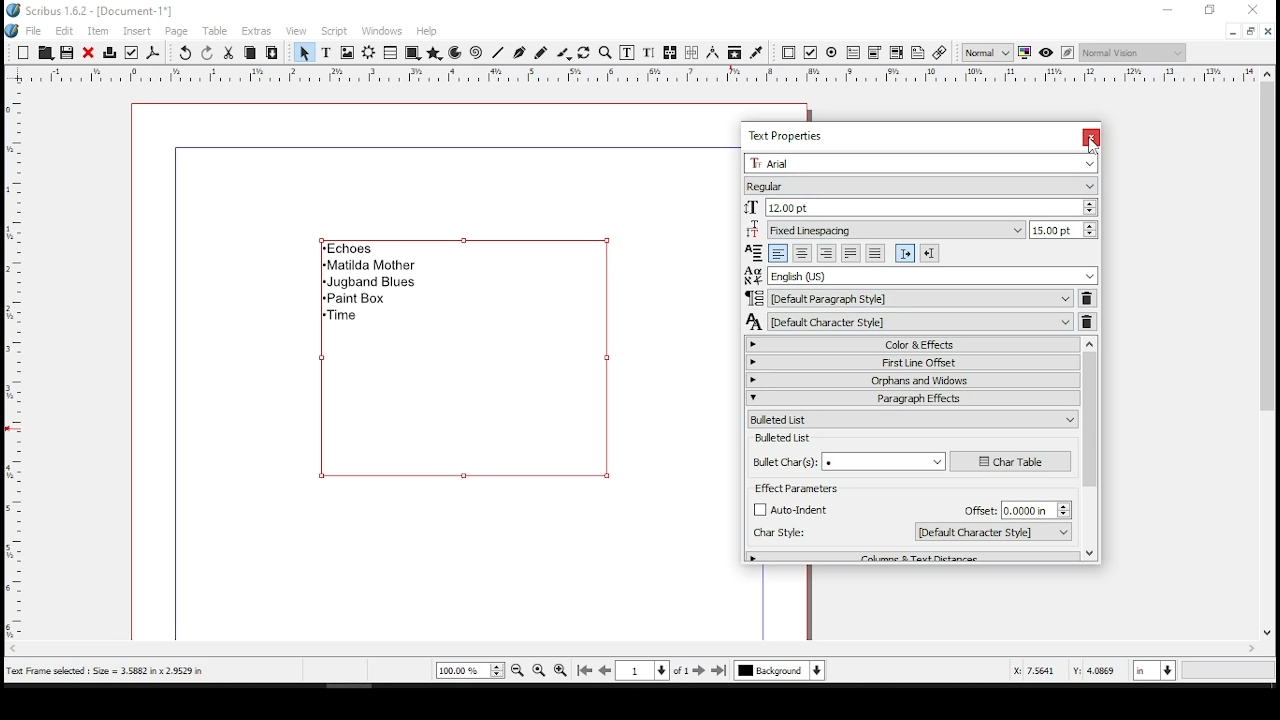 This screenshot has width=1280, height=720. Describe the element at coordinates (154, 51) in the screenshot. I see `save as pdf` at that location.